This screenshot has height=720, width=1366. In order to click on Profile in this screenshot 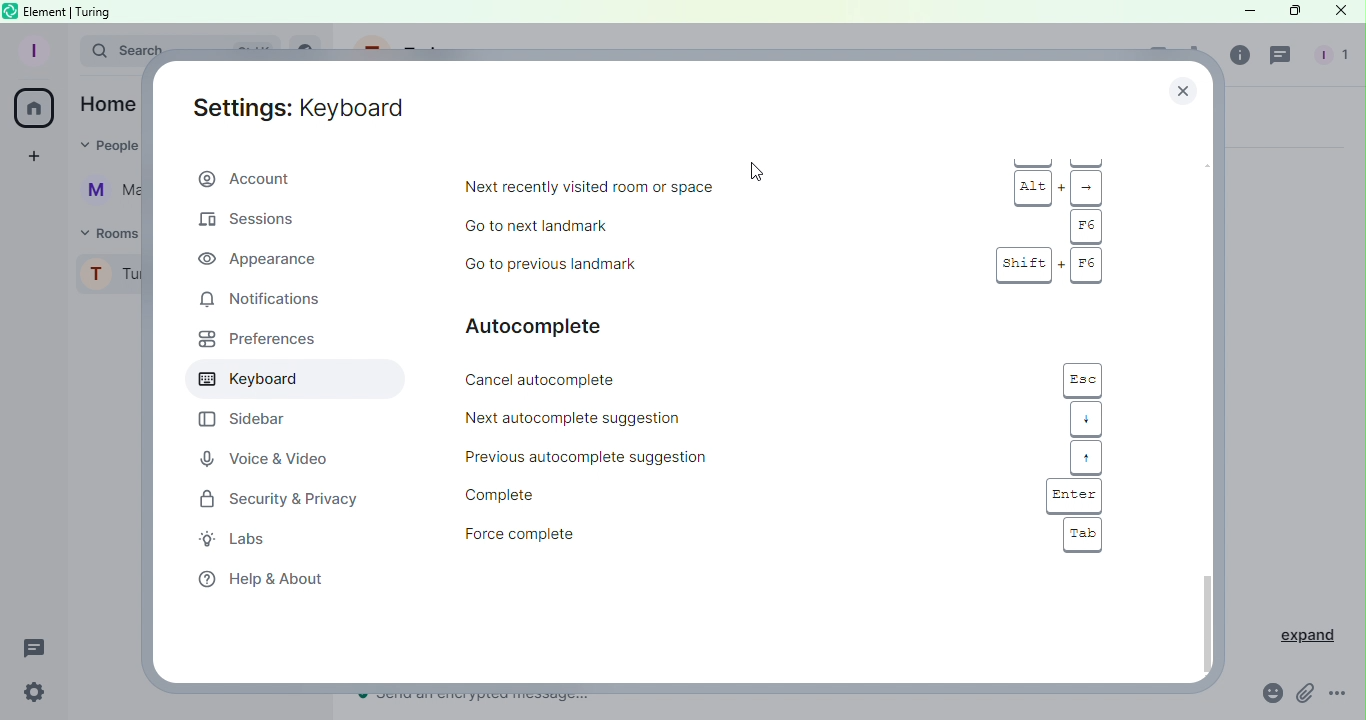, I will do `click(32, 51)`.